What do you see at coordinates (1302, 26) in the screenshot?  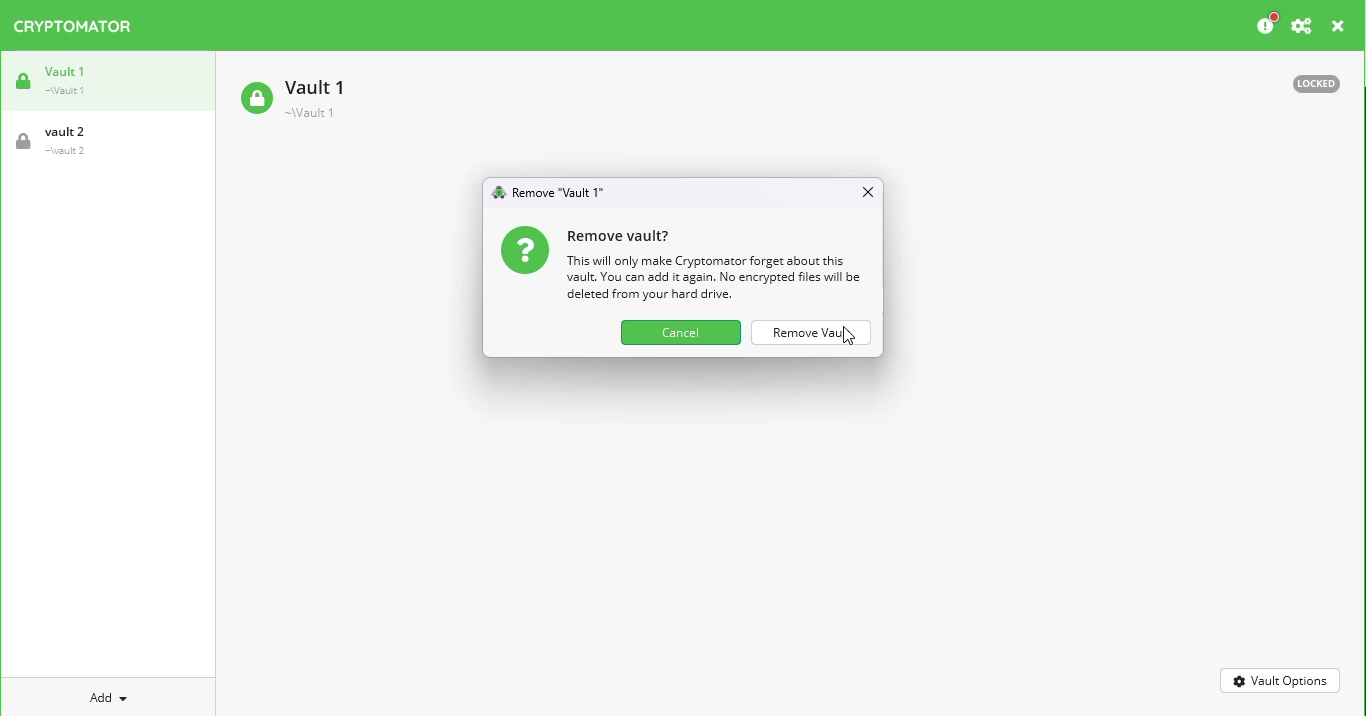 I see `preferences` at bounding box center [1302, 26].